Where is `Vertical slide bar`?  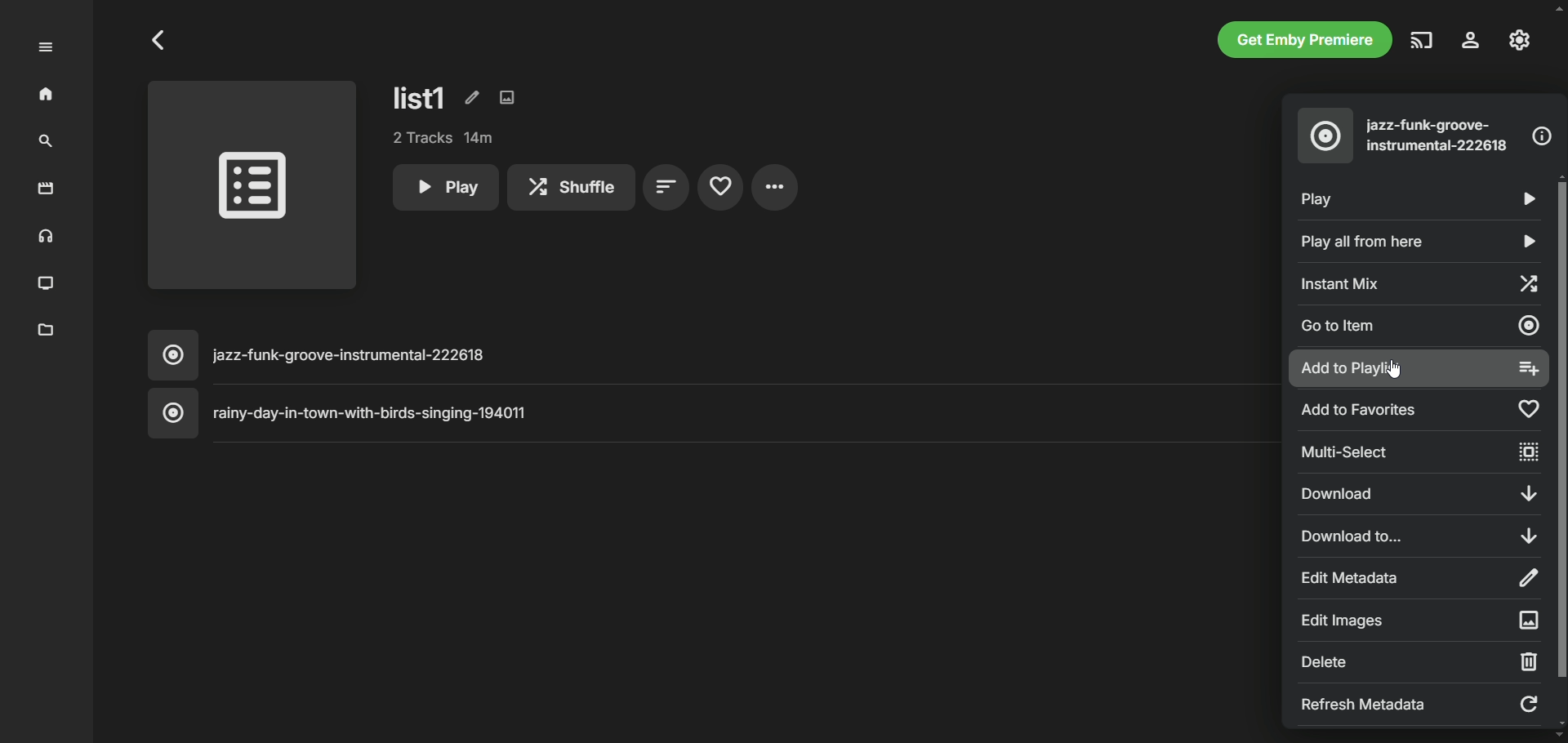
Vertical slide bar is located at coordinates (1560, 450).